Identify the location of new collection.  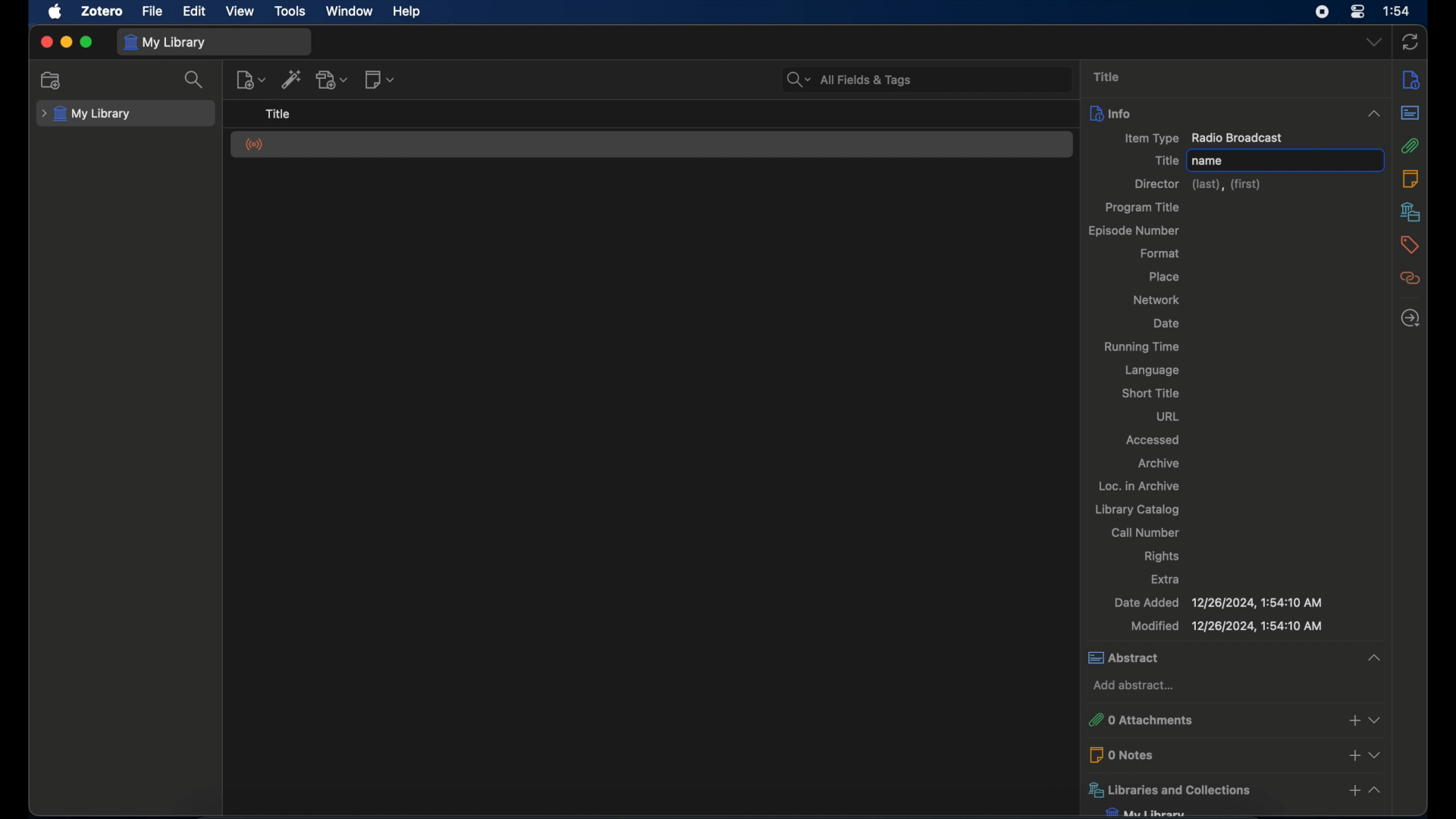
(51, 80).